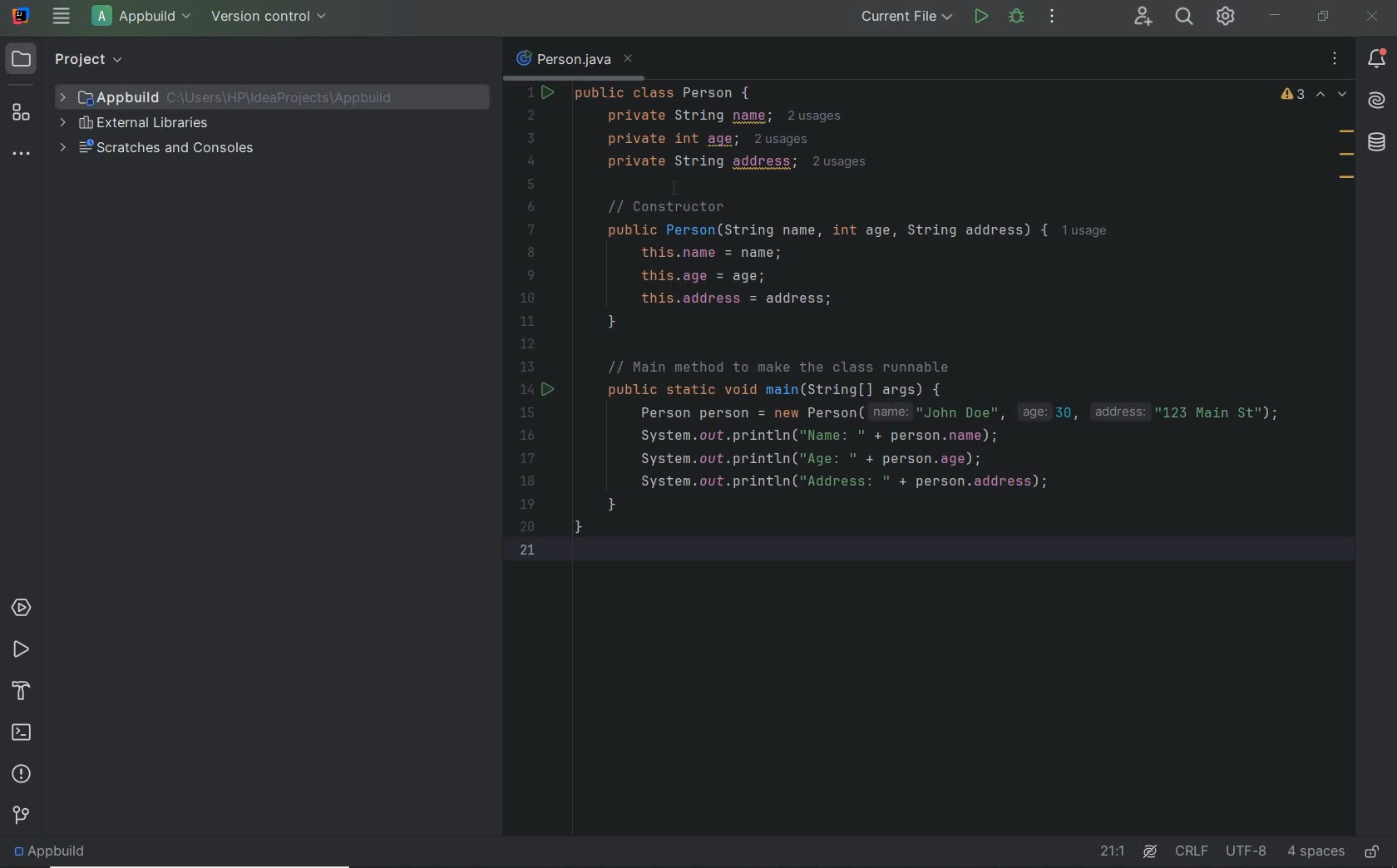 The image size is (1397, 868). Describe the element at coordinates (1113, 852) in the screenshot. I see `go to line` at that location.